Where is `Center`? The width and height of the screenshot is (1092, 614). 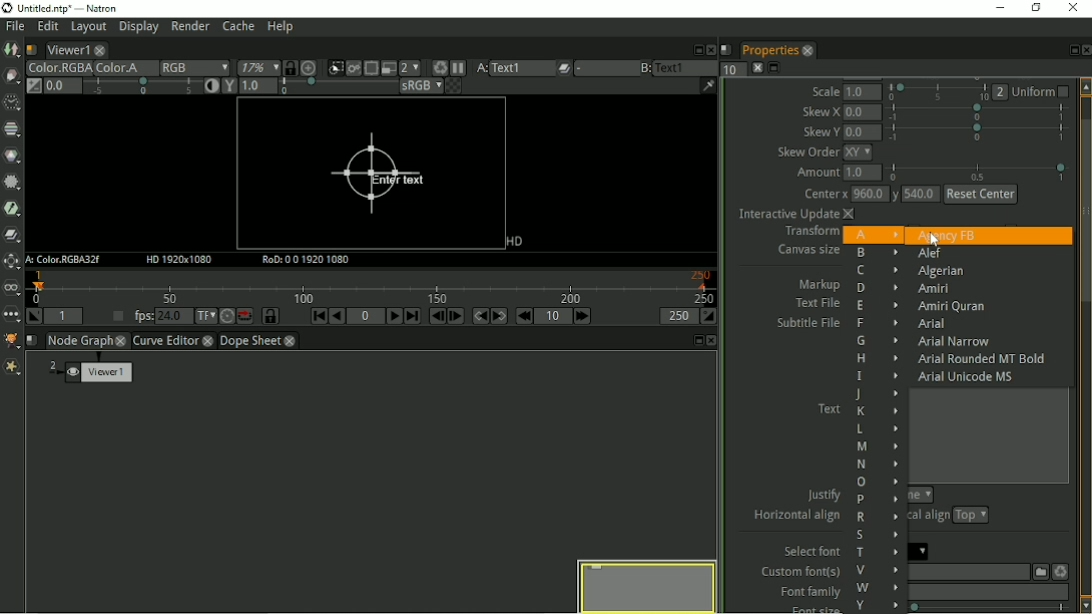
Center is located at coordinates (823, 195).